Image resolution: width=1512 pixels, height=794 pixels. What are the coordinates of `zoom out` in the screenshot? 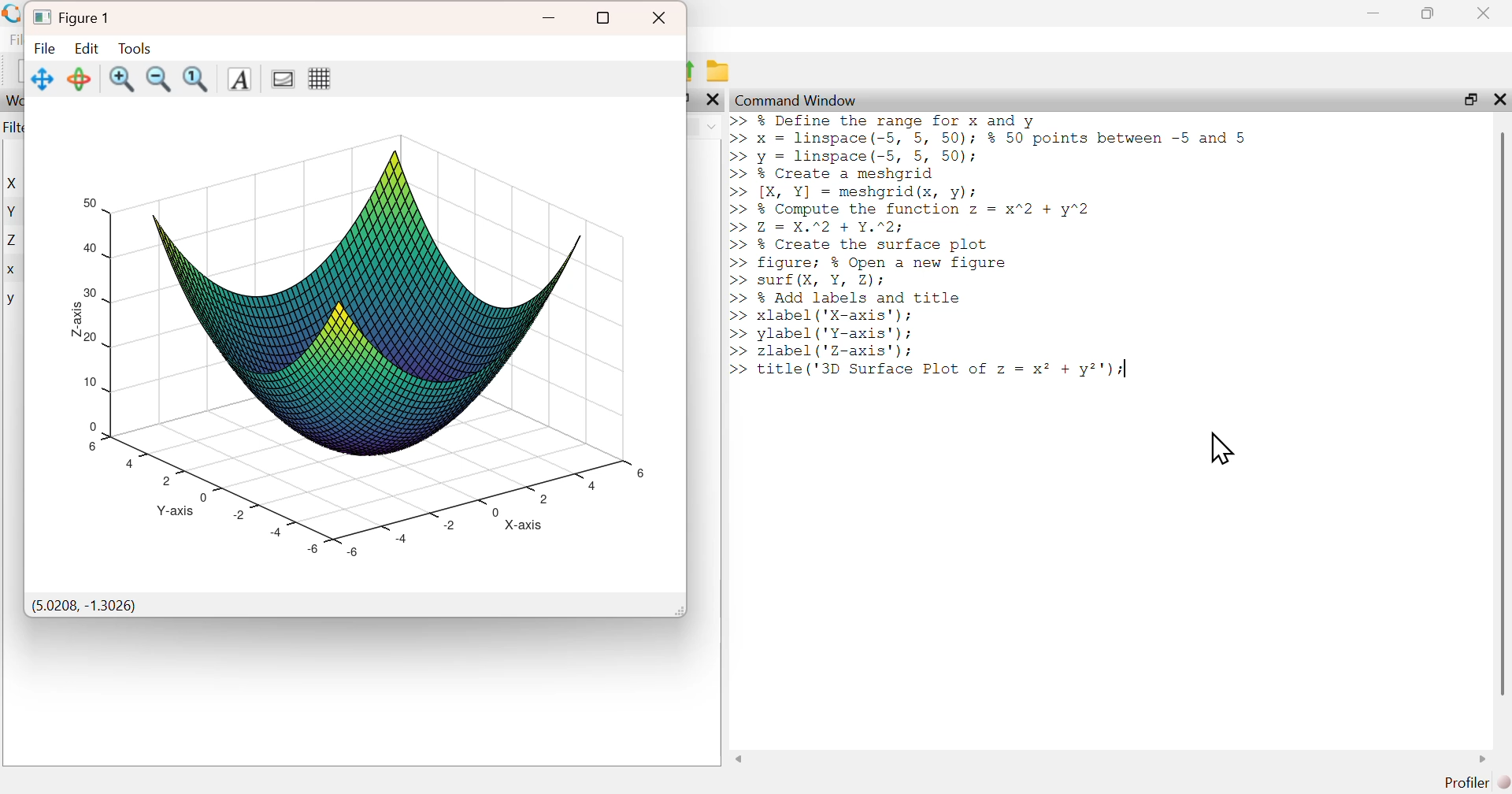 It's located at (160, 78).